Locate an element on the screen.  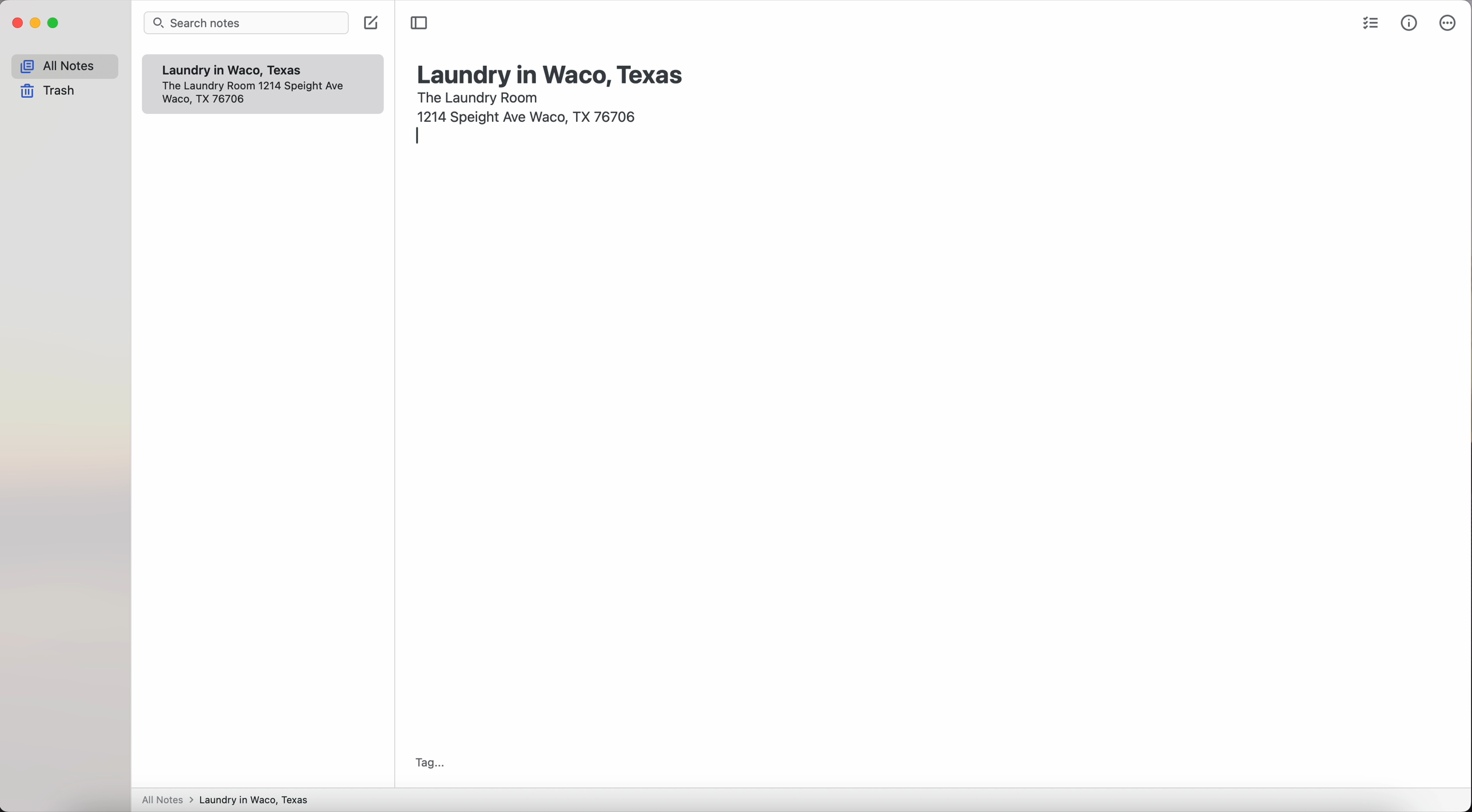
click on create note is located at coordinates (373, 23).